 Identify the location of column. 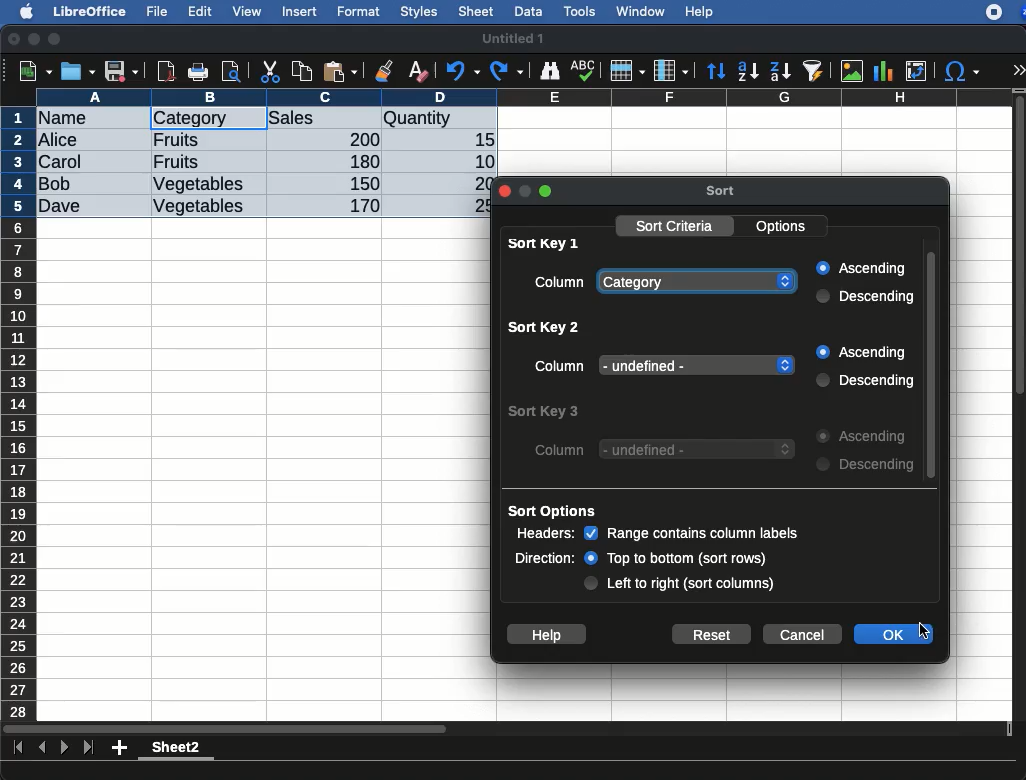
(562, 284).